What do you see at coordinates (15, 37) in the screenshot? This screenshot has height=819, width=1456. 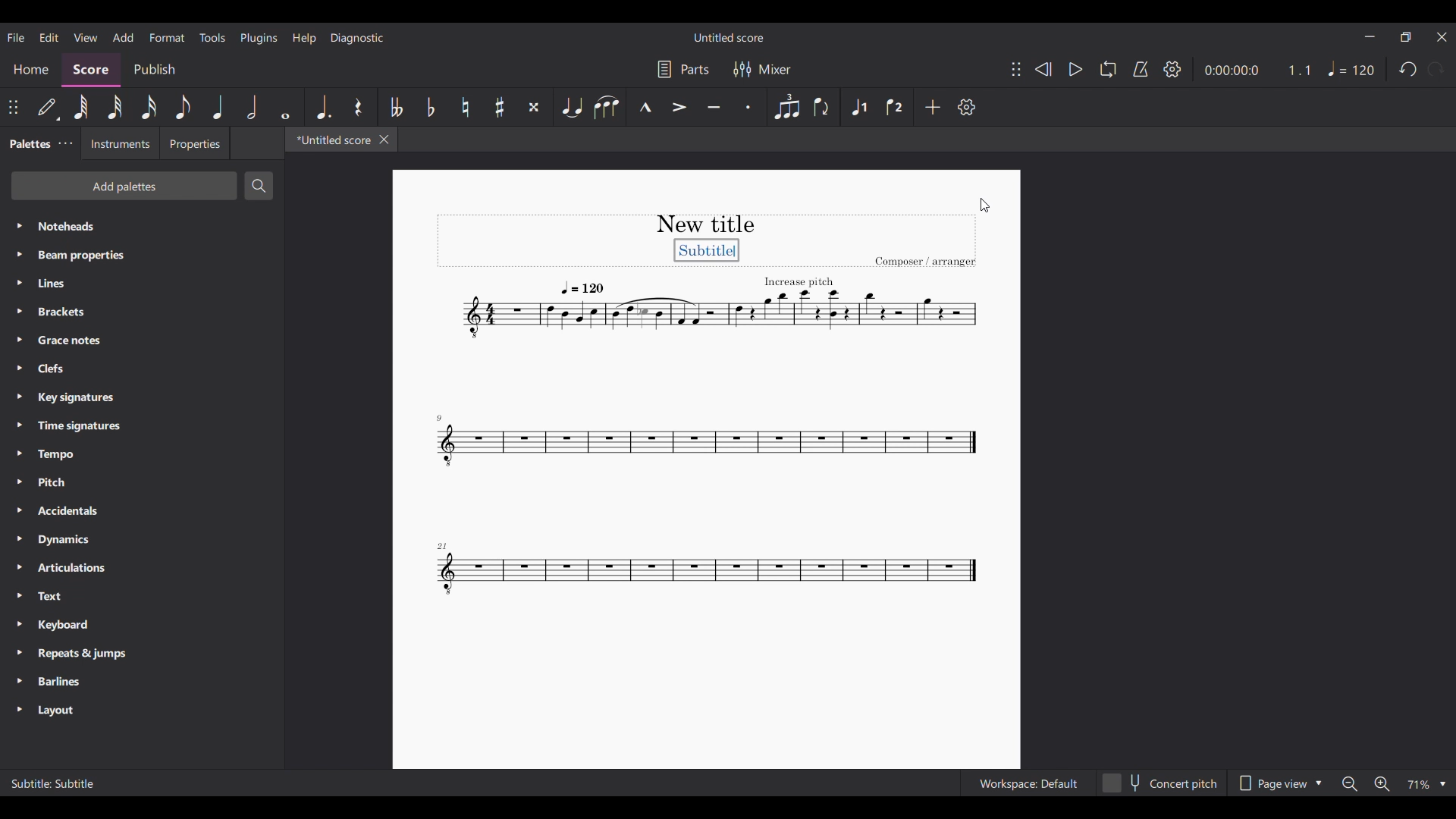 I see `File menu` at bounding box center [15, 37].